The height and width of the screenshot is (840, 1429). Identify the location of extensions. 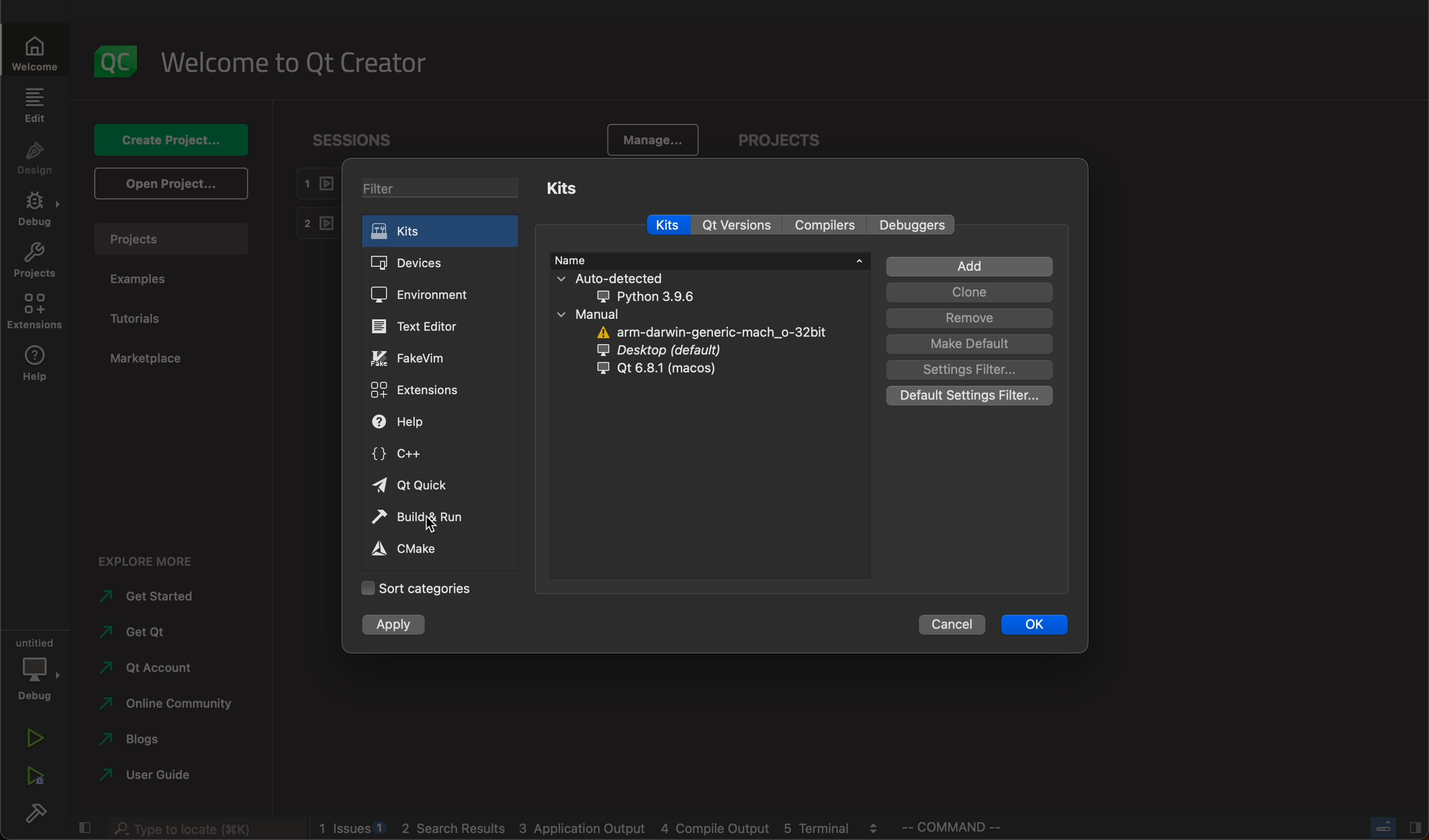
(33, 313).